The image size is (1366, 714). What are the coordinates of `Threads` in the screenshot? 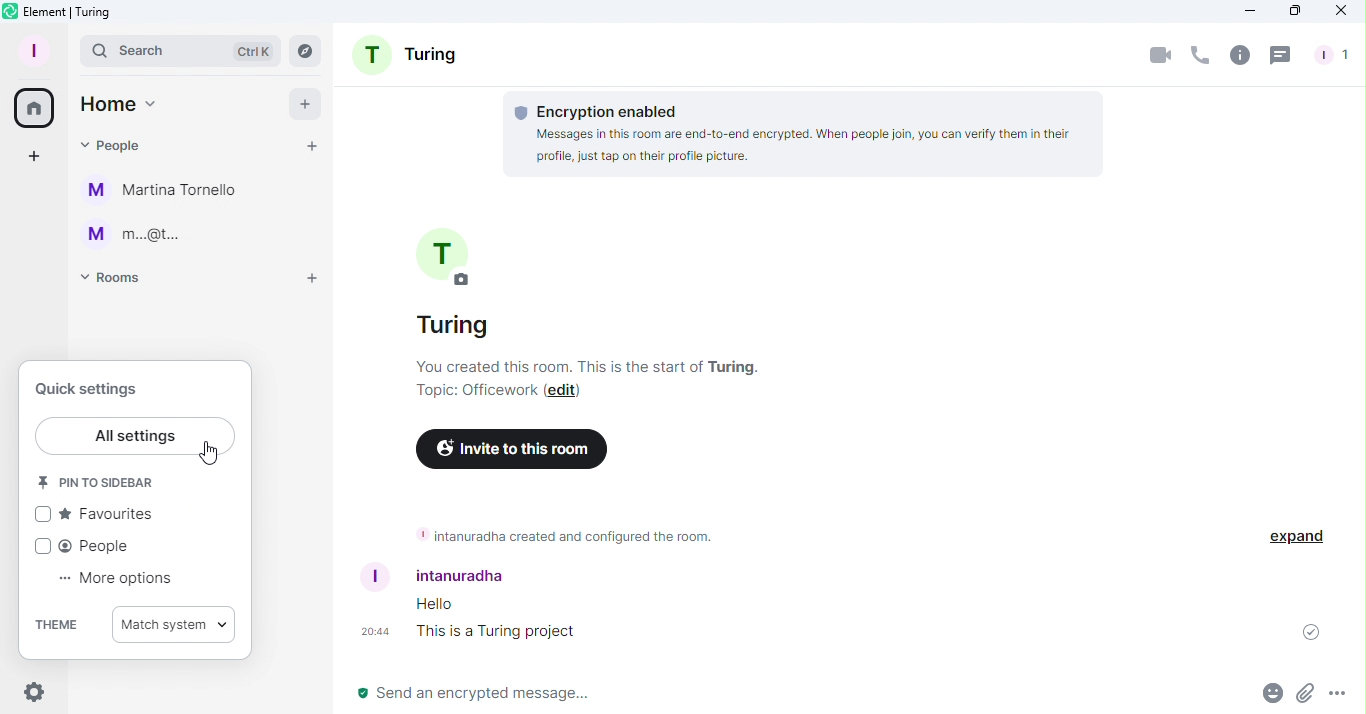 It's located at (1280, 54).